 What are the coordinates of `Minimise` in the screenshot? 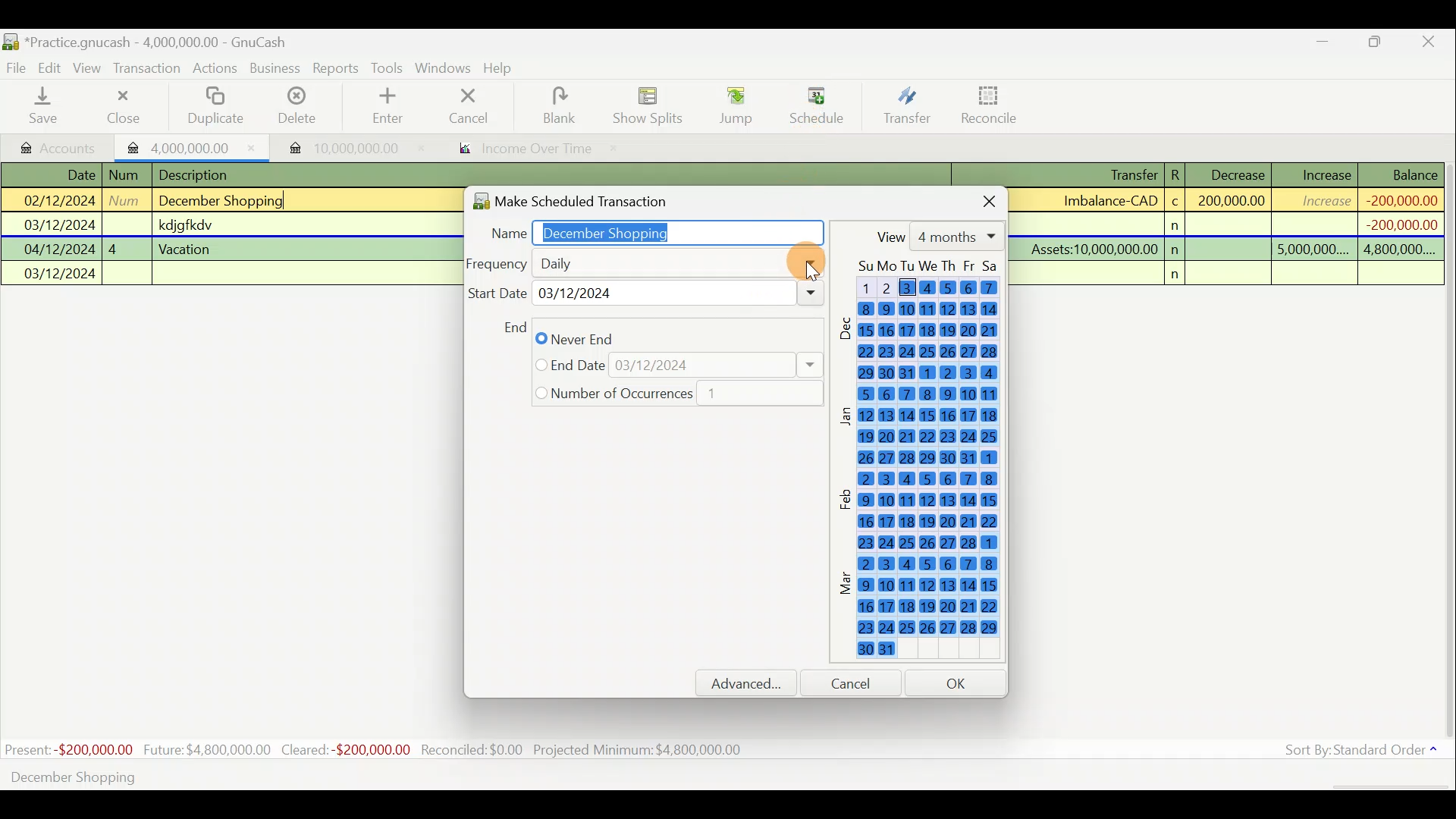 It's located at (1323, 45).